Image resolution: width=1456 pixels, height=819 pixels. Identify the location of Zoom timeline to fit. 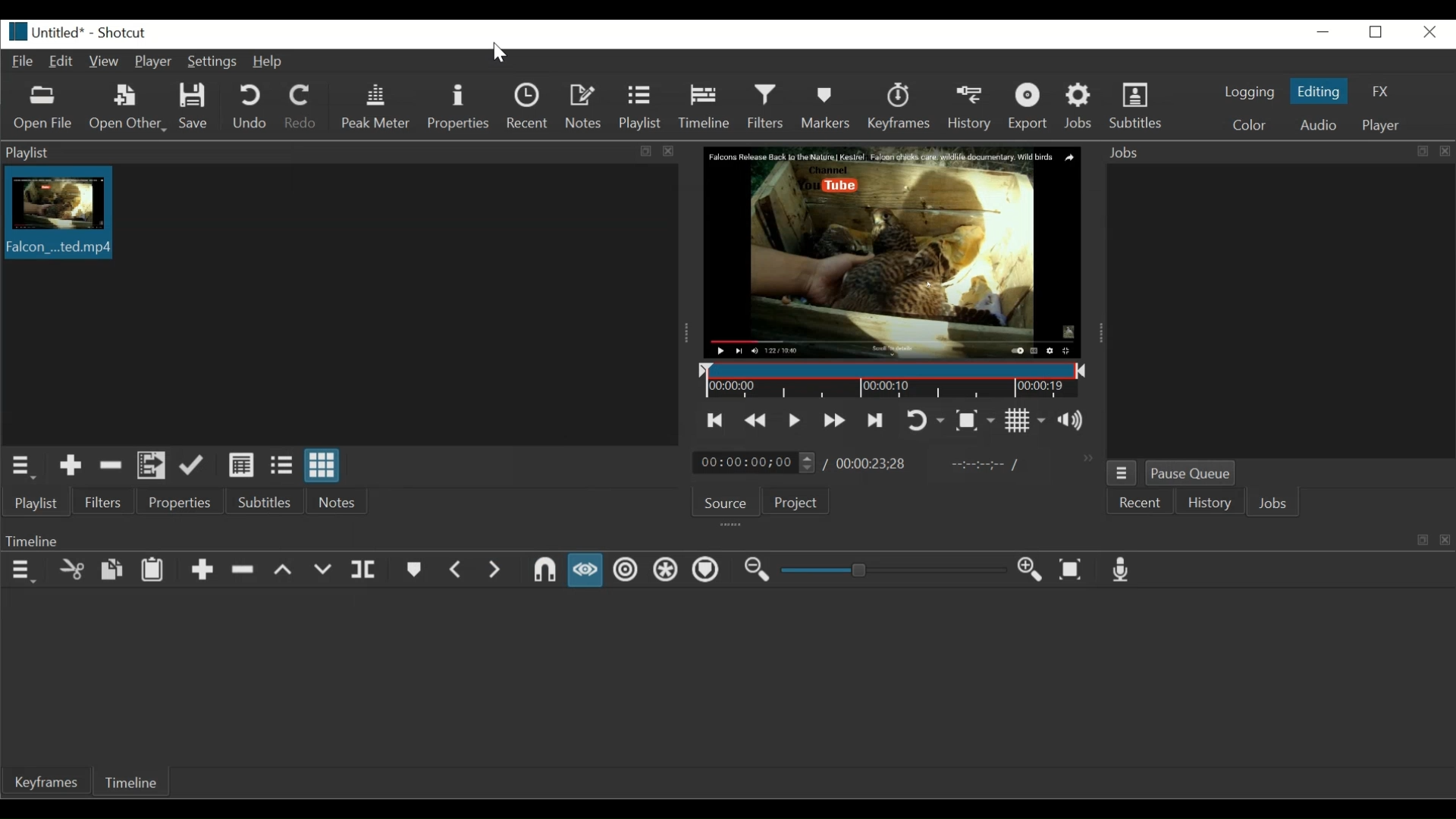
(1072, 570).